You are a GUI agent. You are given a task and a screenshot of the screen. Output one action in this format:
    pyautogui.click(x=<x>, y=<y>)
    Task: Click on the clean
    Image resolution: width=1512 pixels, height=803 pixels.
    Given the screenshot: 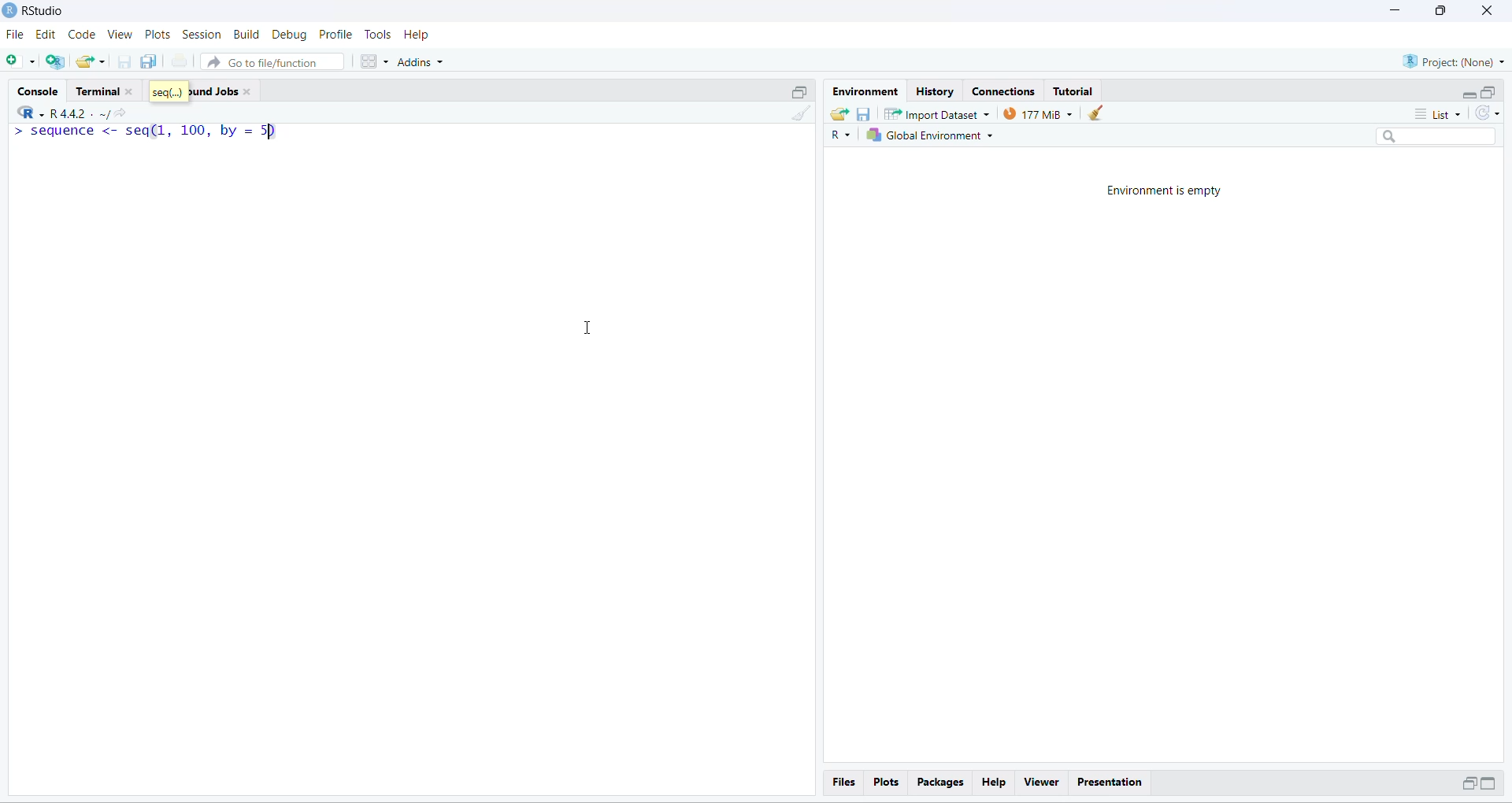 What is the action you would take?
    pyautogui.click(x=1095, y=113)
    